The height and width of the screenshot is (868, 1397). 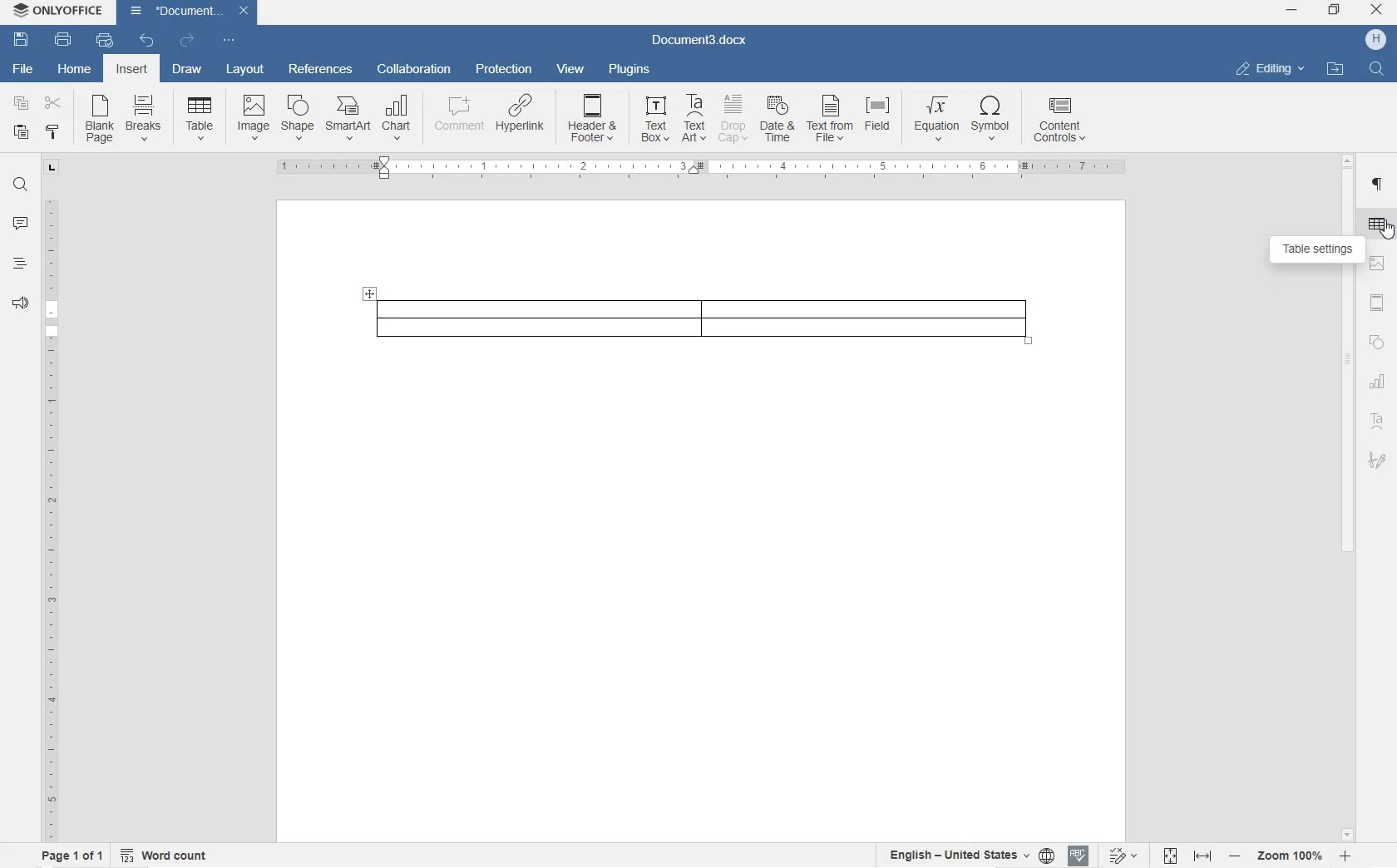 I want to click on insert table, so click(x=200, y=118).